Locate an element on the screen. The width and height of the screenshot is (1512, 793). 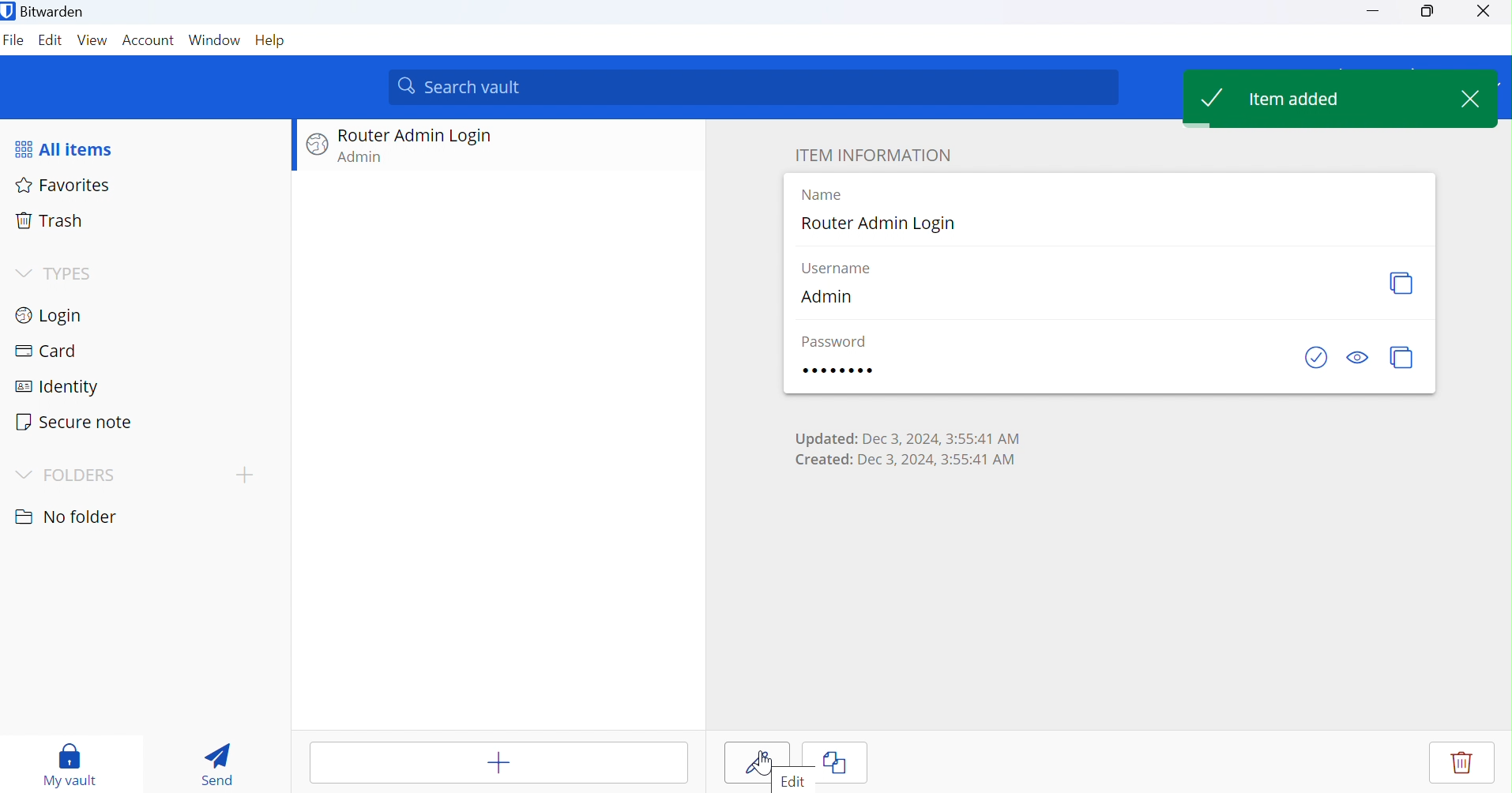
Drop Down is located at coordinates (25, 474).